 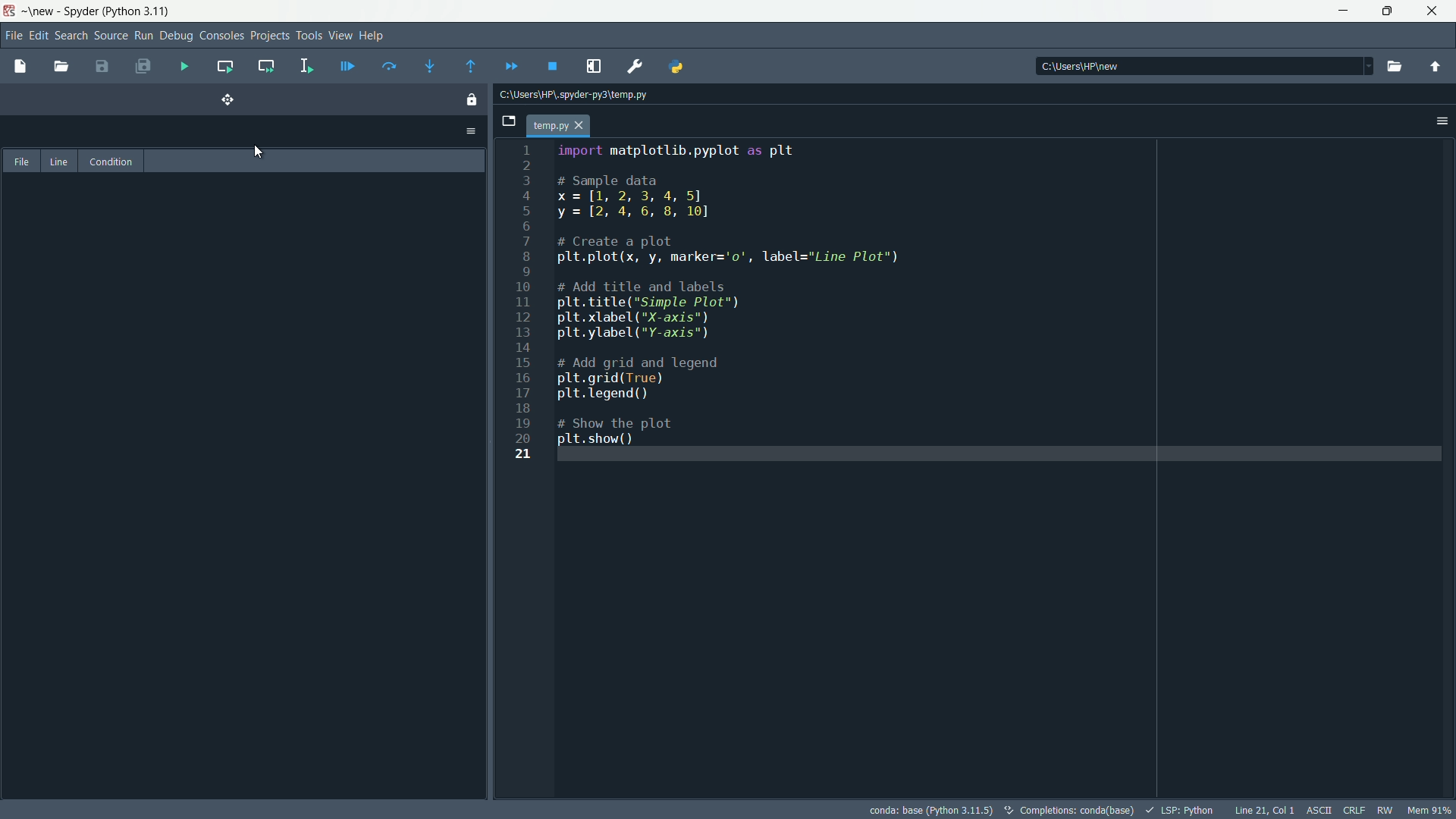 What do you see at coordinates (508, 65) in the screenshot?
I see `continue execution untill next breakdown` at bounding box center [508, 65].